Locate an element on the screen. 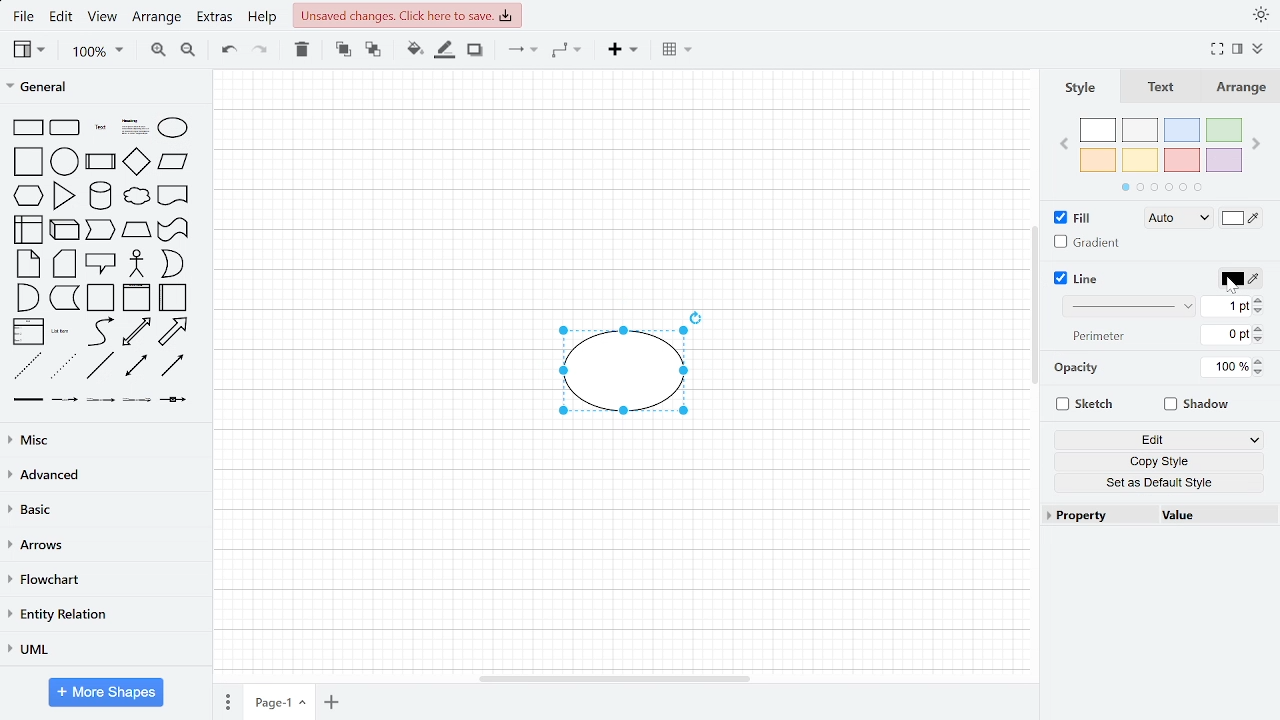 The height and width of the screenshot is (720, 1280). document is located at coordinates (64, 299).